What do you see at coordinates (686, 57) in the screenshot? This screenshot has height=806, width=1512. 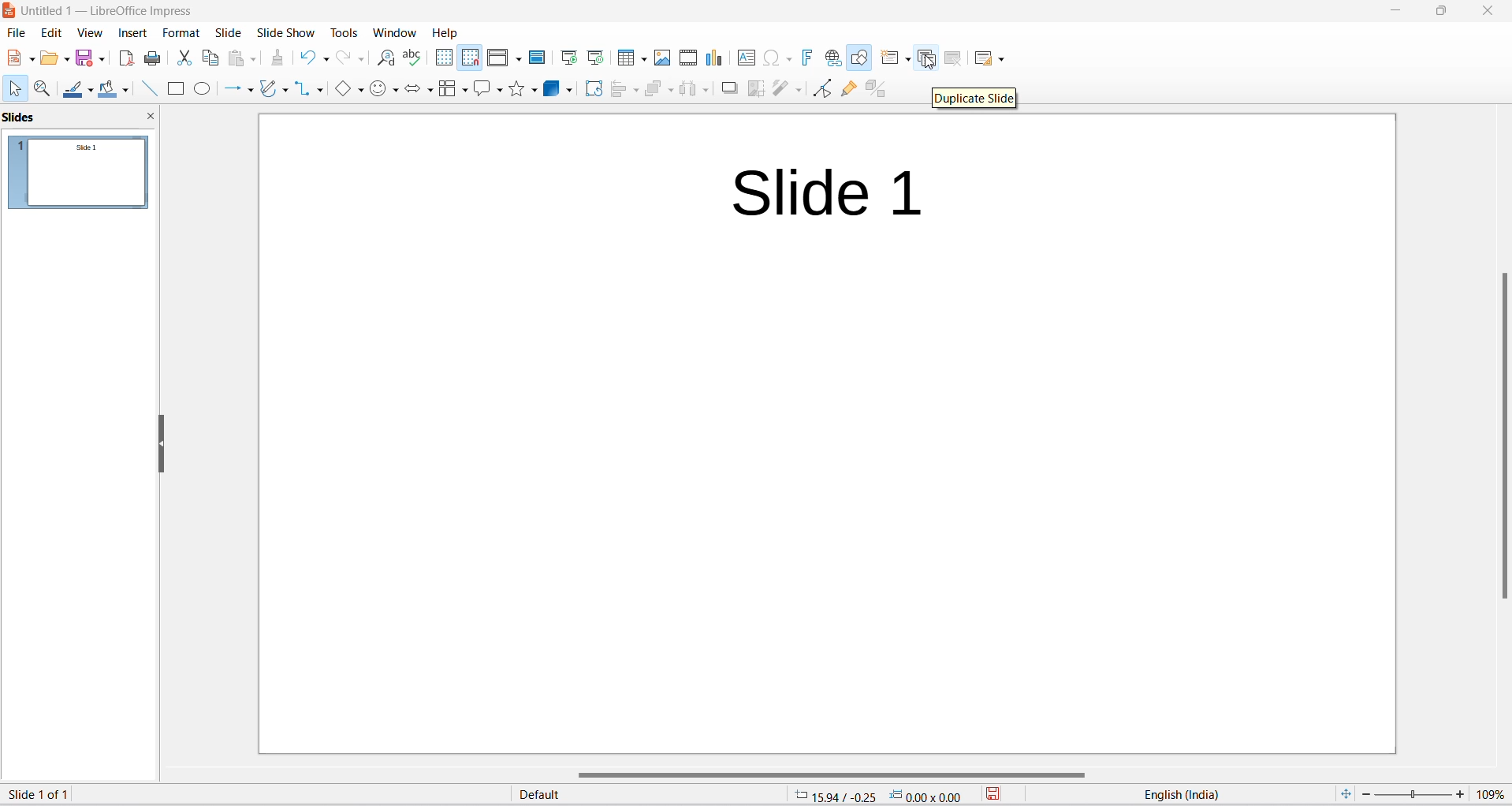 I see `insert video and audio` at bounding box center [686, 57].